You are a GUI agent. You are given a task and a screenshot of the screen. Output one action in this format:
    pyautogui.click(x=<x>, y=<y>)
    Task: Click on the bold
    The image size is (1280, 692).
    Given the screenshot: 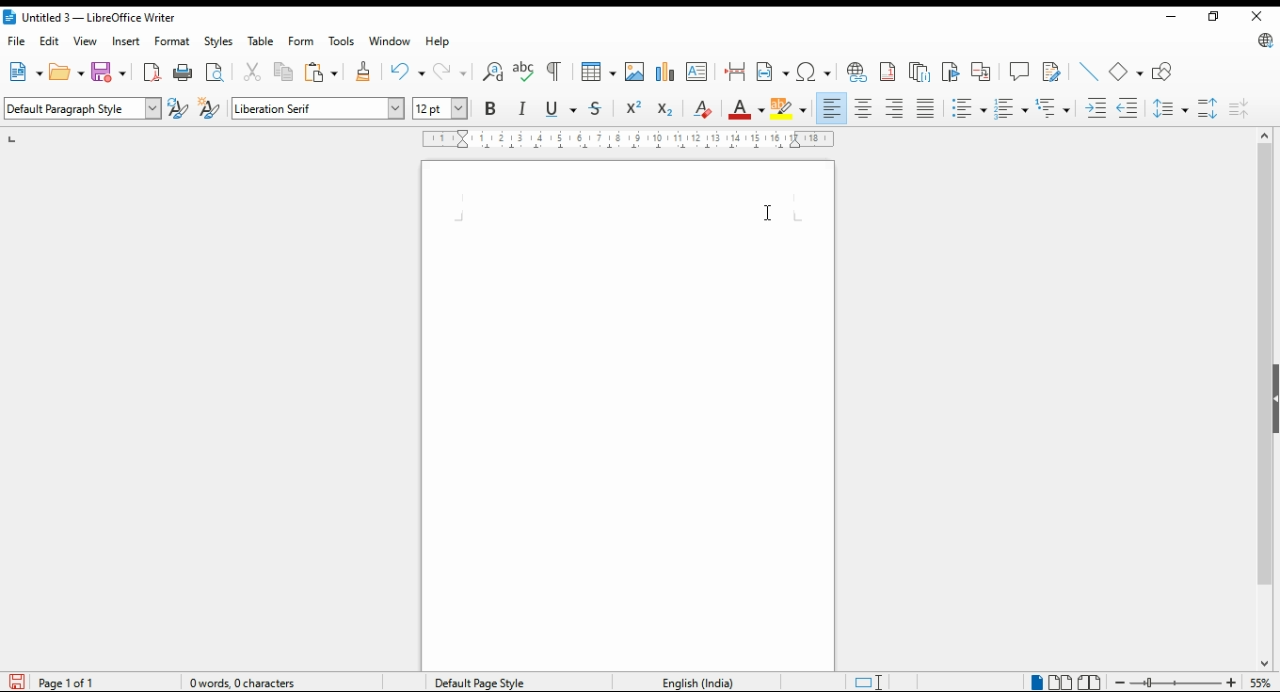 What is the action you would take?
    pyautogui.click(x=490, y=107)
    